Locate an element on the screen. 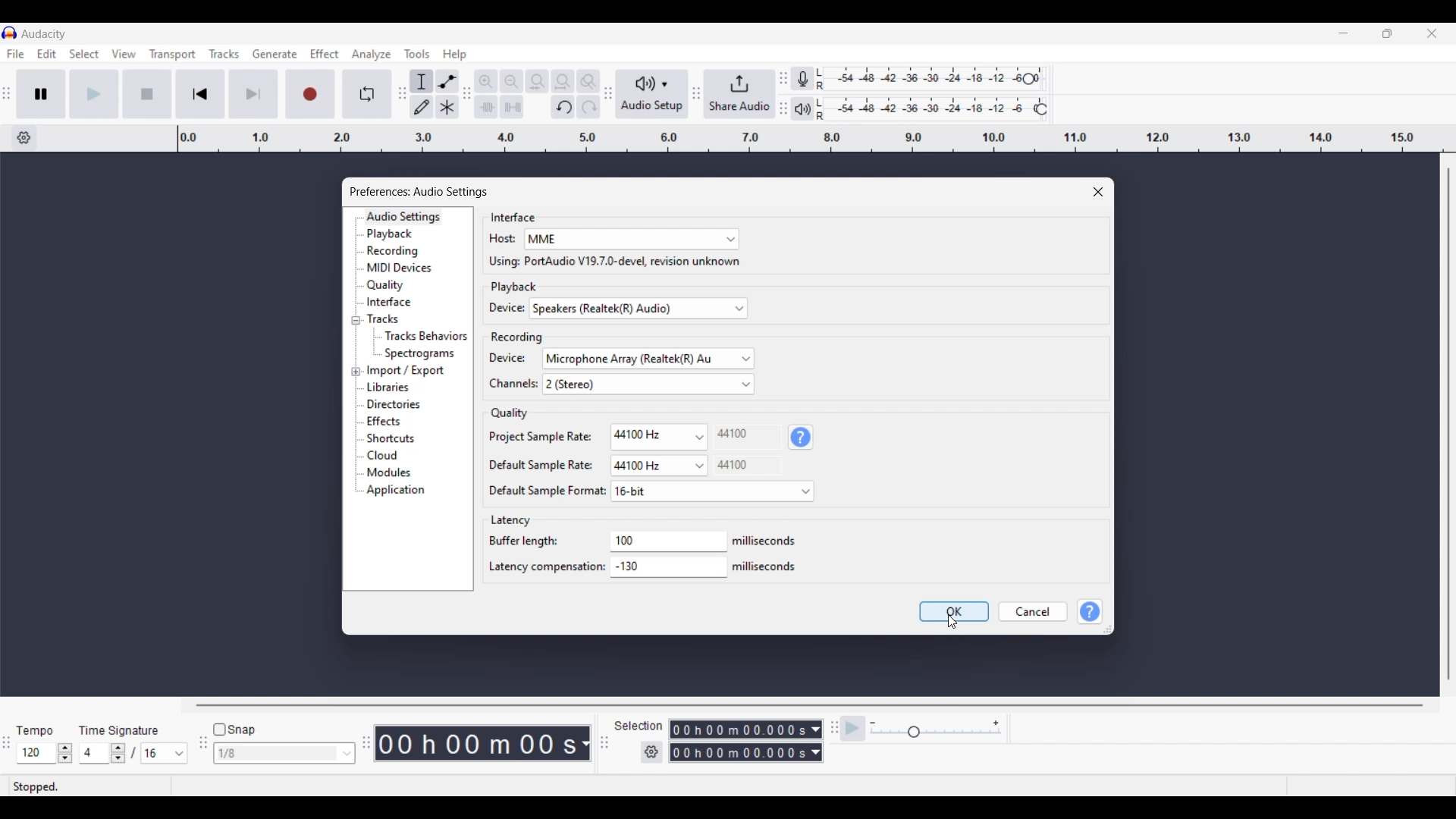 This screenshot has height=819, width=1456. Generate menu is located at coordinates (275, 54).